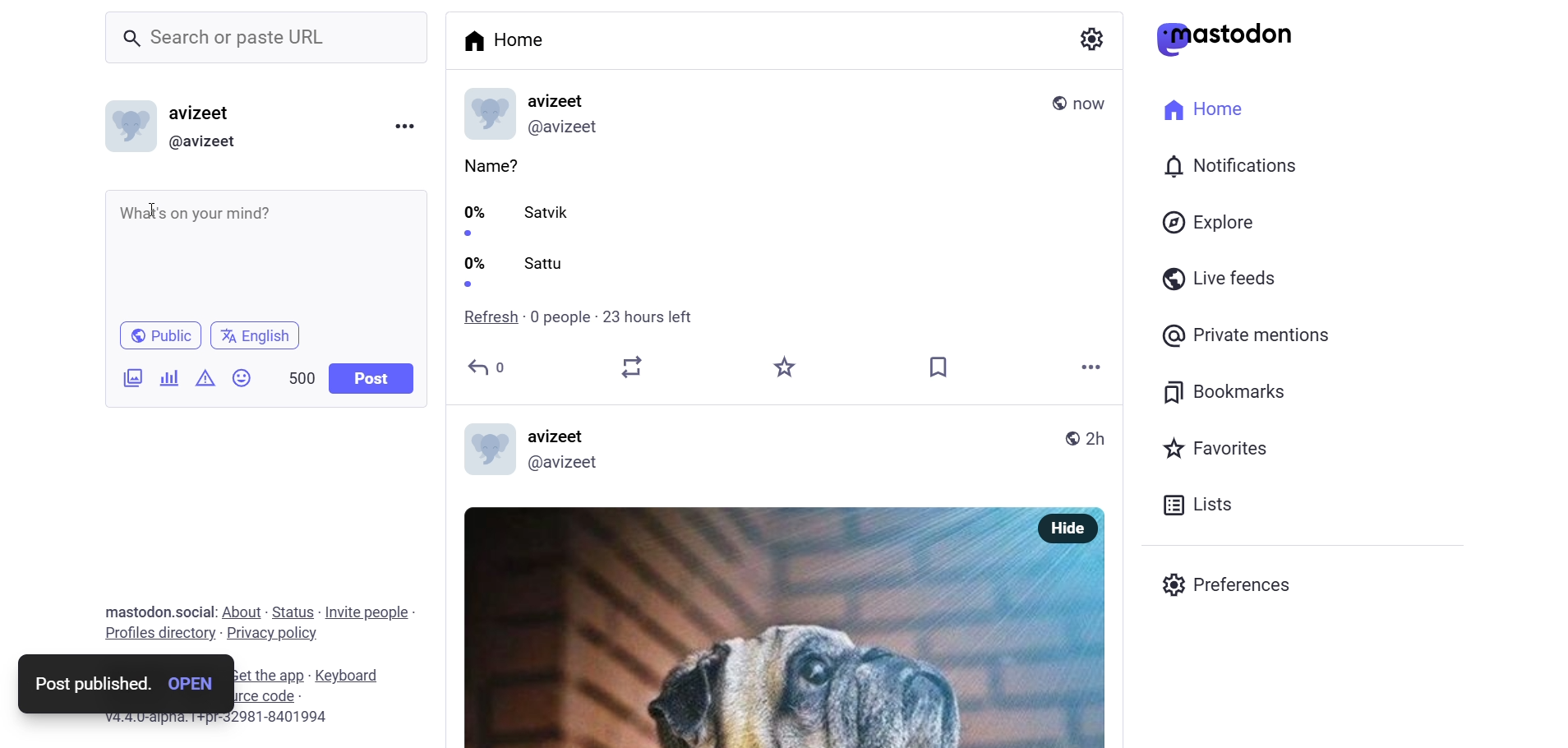  What do you see at coordinates (154, 208) in the screenshot?
I see `cursor` at bounding box center [154, 208].